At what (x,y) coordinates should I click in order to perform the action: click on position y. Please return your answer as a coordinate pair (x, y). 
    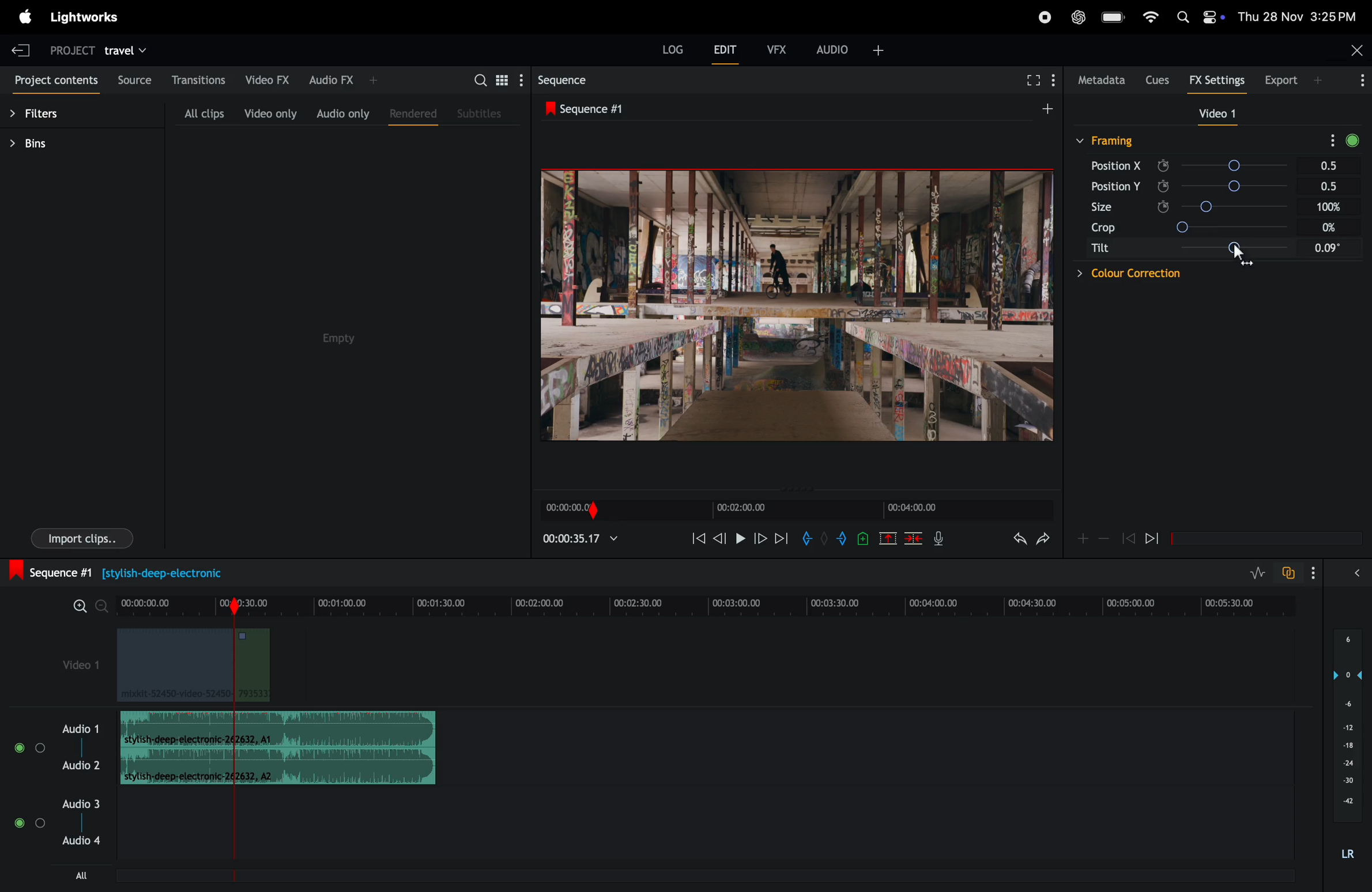
    Looking at the image, I should click on (1120, 188).